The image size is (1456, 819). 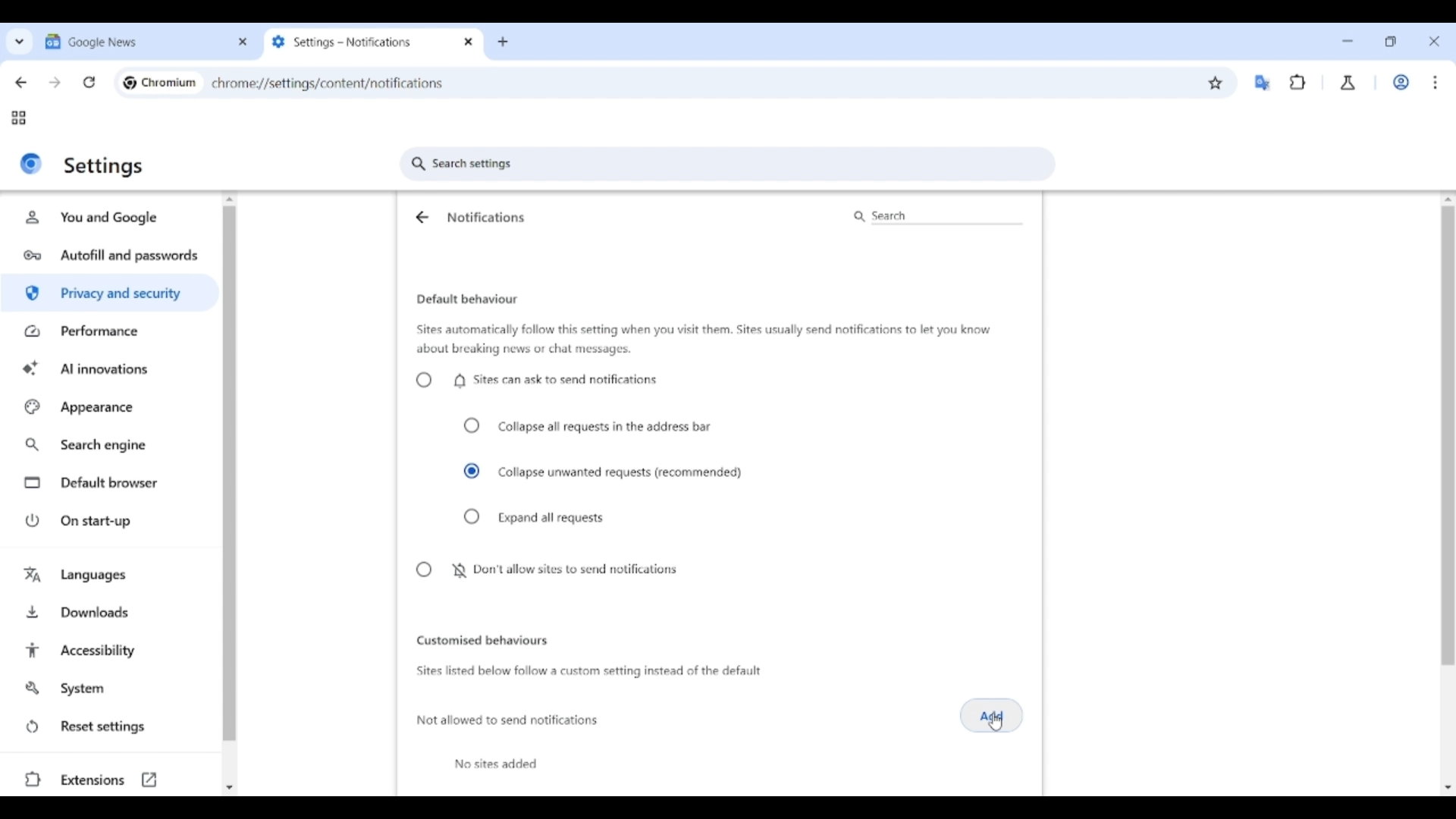 I want to click on Tab groups, so click(x=18, y=118).